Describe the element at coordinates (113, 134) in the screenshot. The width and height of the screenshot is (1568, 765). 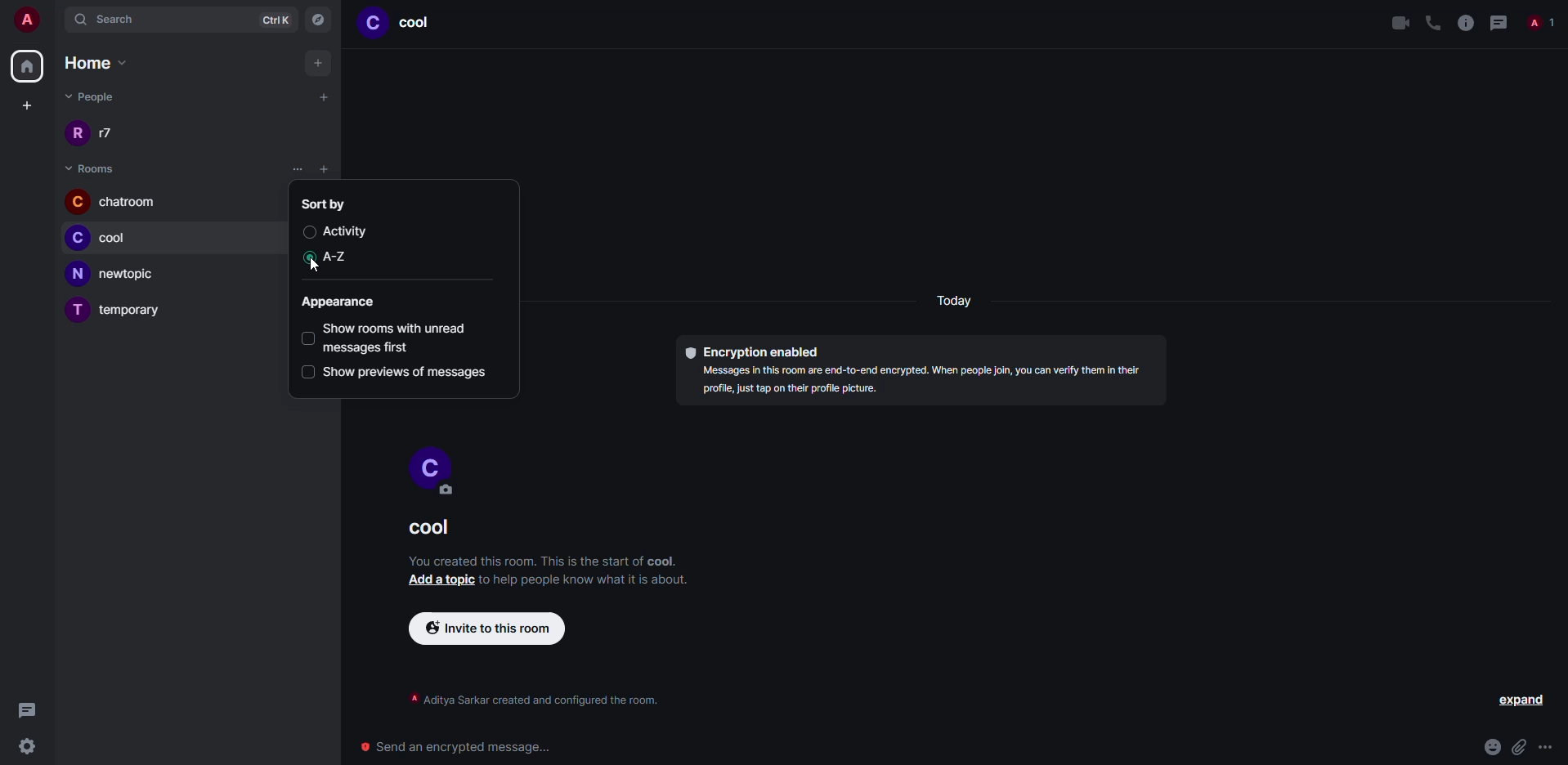
I see `people` at that location.